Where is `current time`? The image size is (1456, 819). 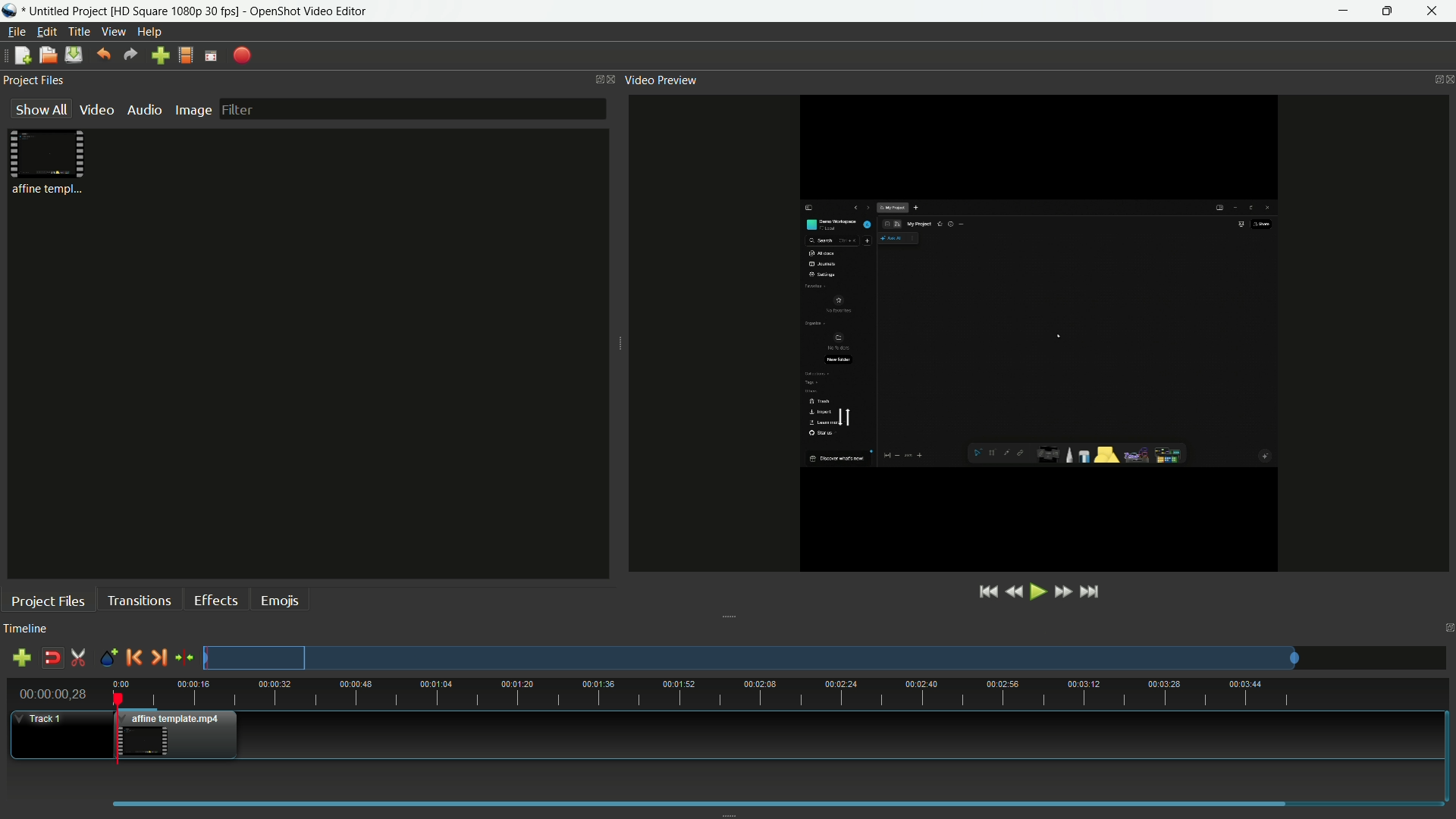 current time is located at coordinates (55, 693).